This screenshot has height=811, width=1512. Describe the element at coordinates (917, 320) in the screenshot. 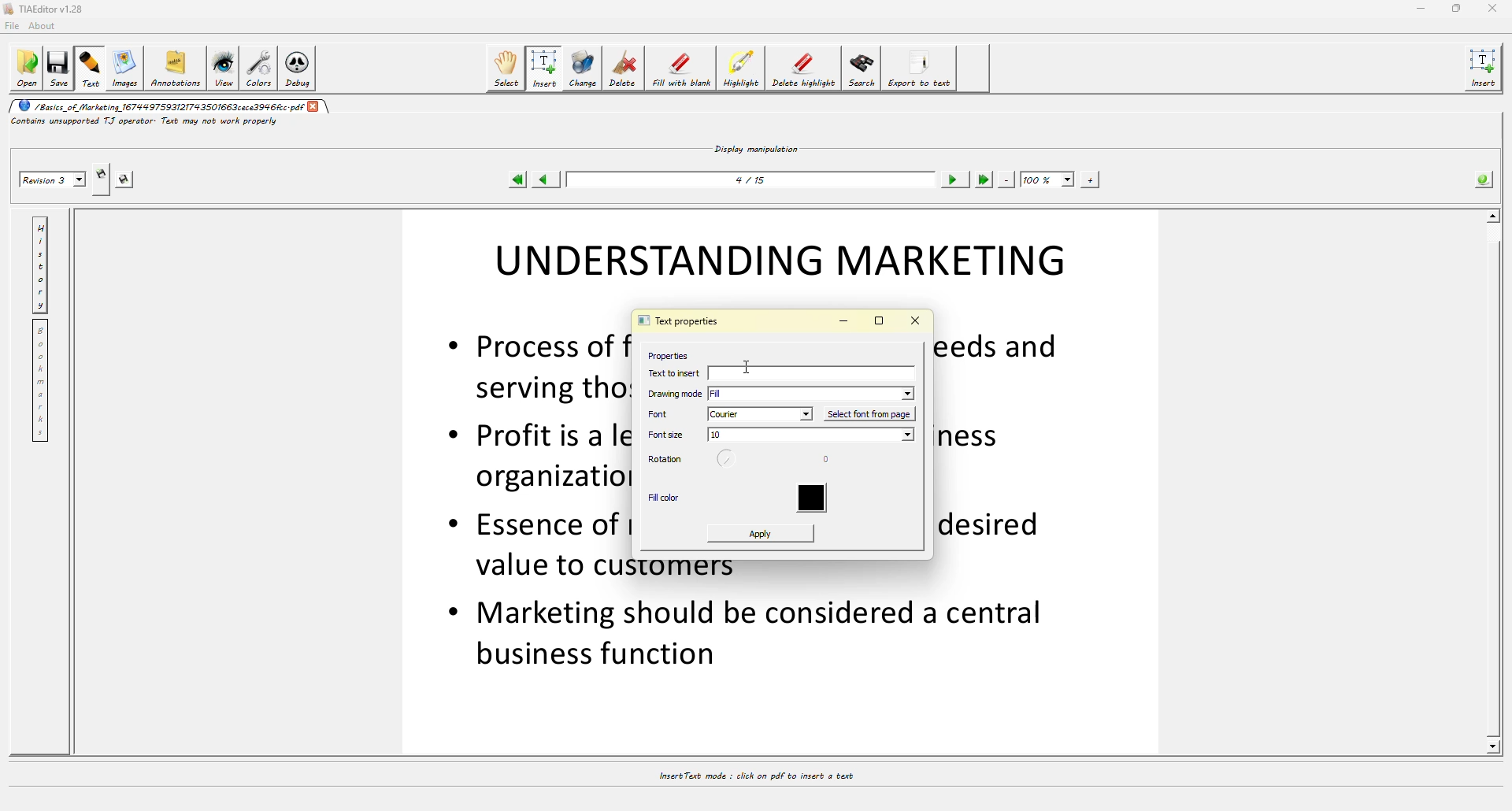

I see `close` at that location.